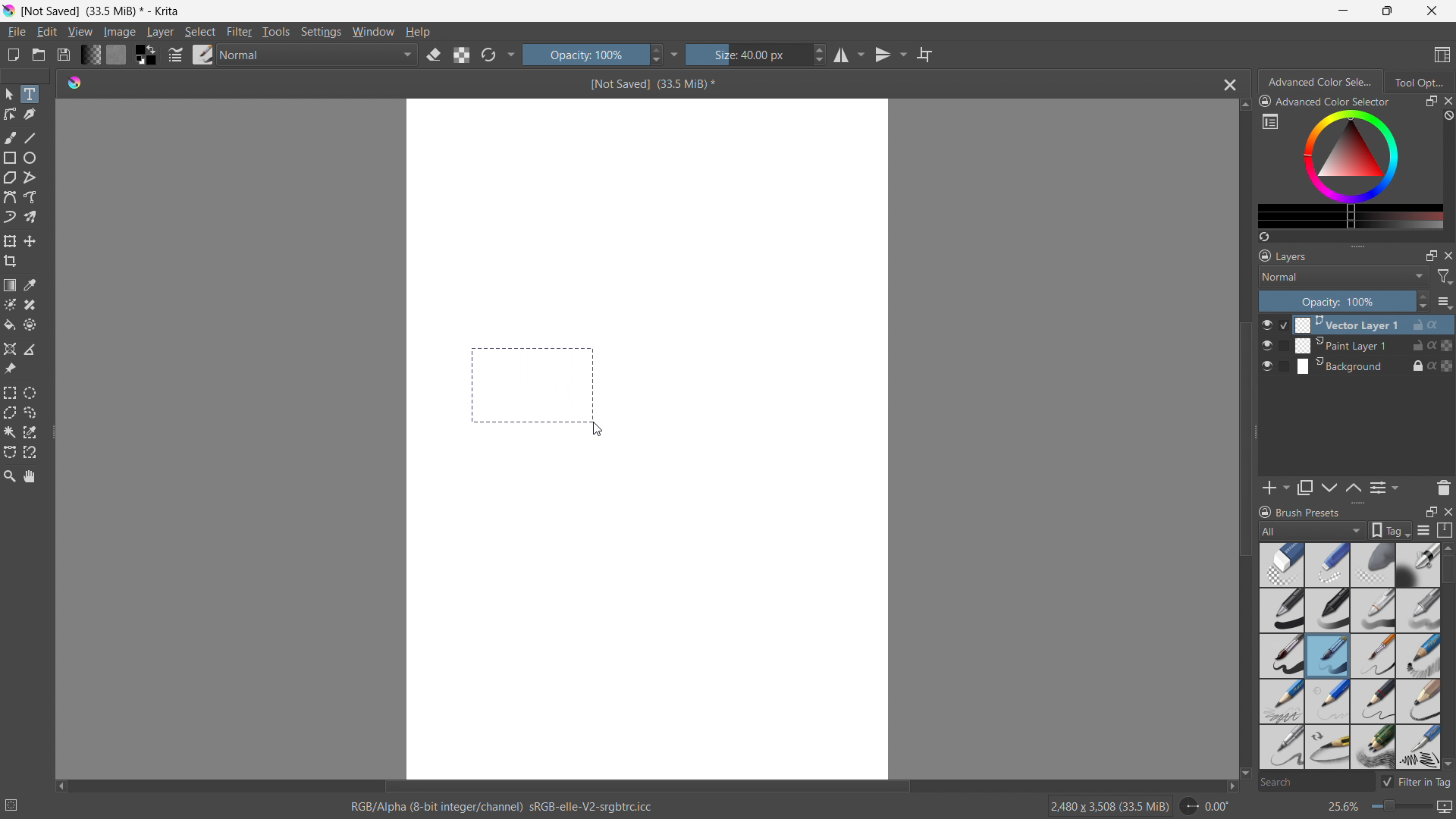  What do you see at coordinates (646, 784) in the screenshot?
I see `horizontal scrollbar` at bounding box center [646, 784].